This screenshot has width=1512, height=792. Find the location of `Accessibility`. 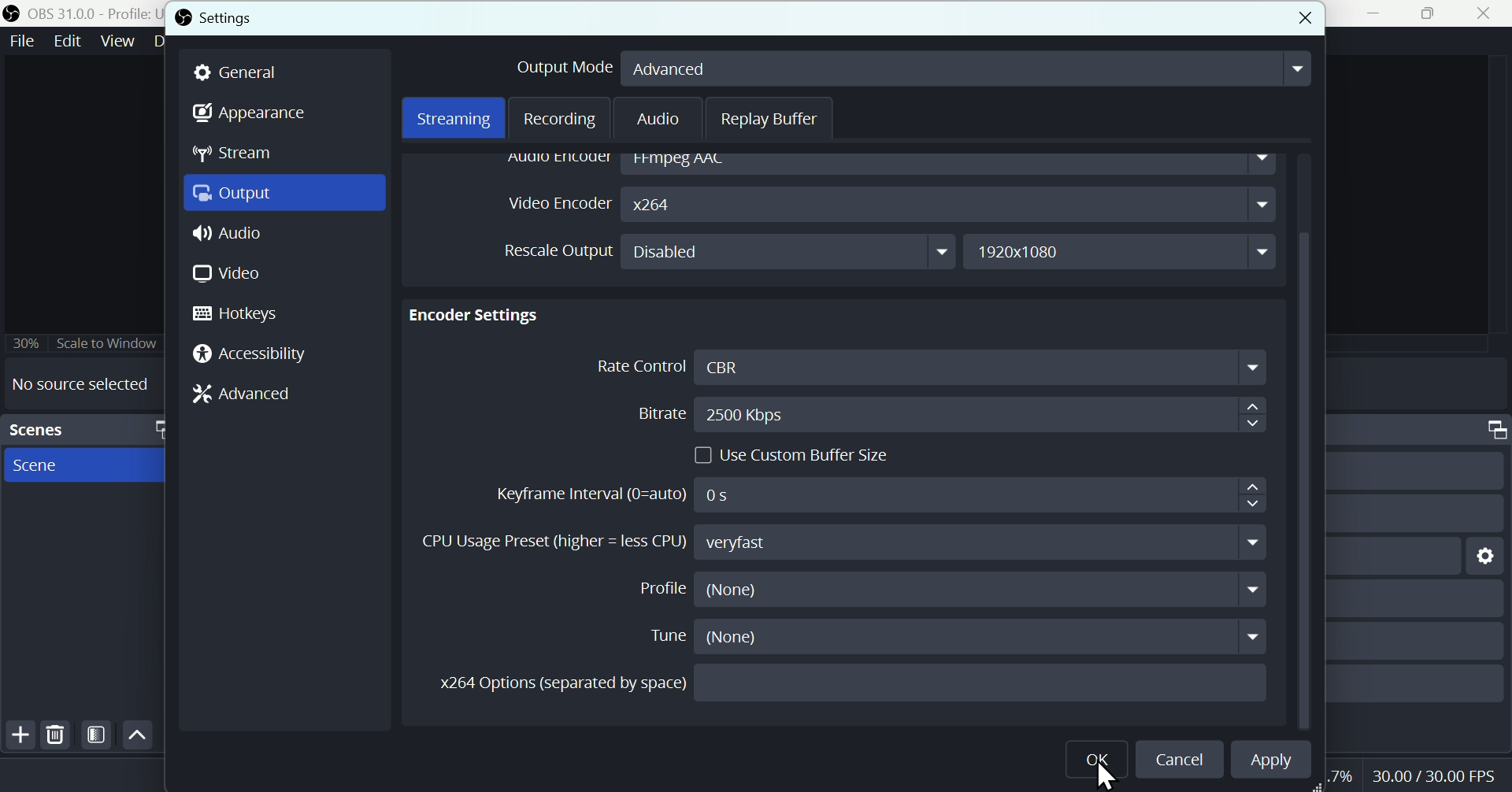

Accessibility is located at coordinates (250, 356).